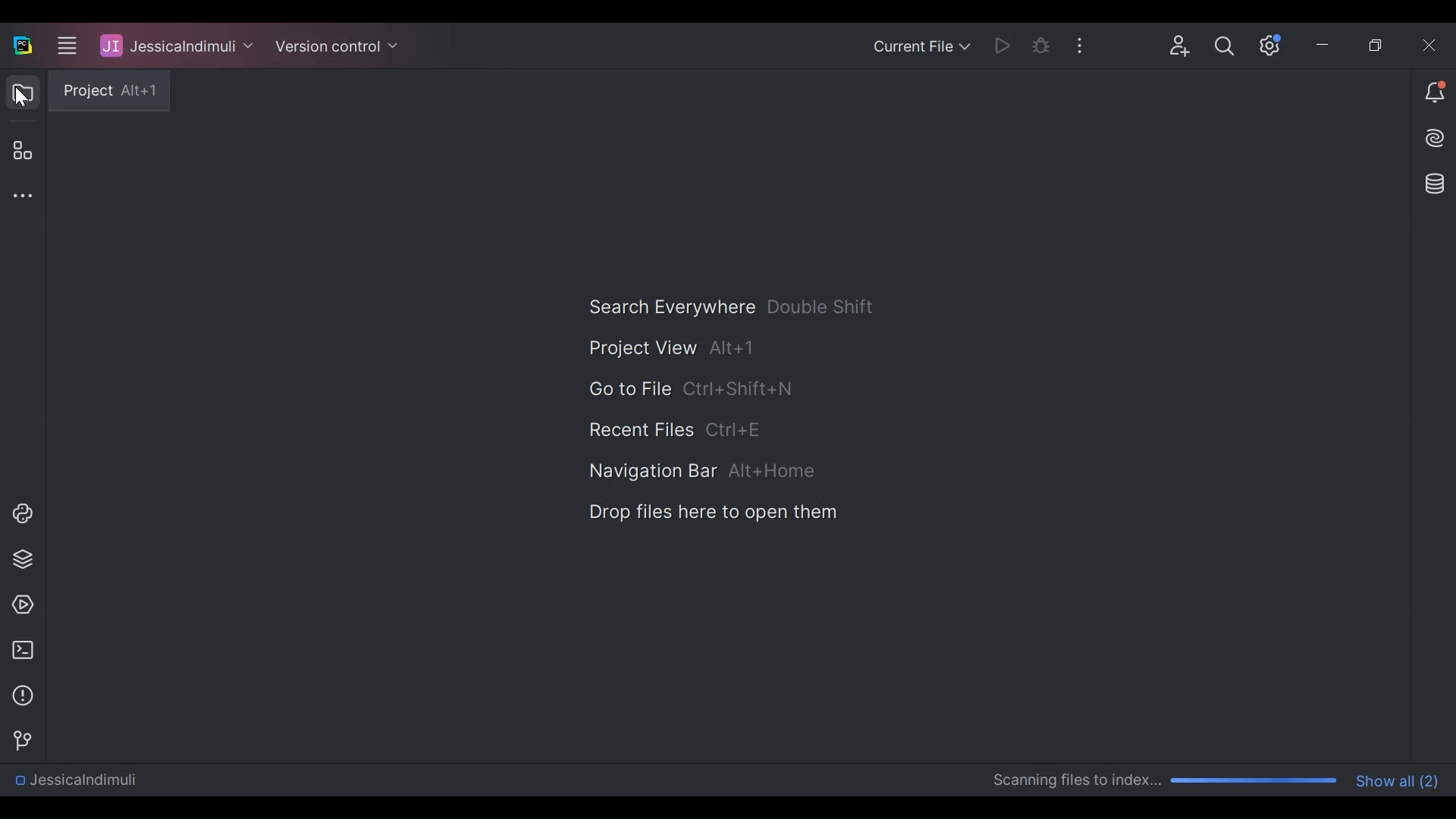  I want to click on Run, so click(1004, 47).